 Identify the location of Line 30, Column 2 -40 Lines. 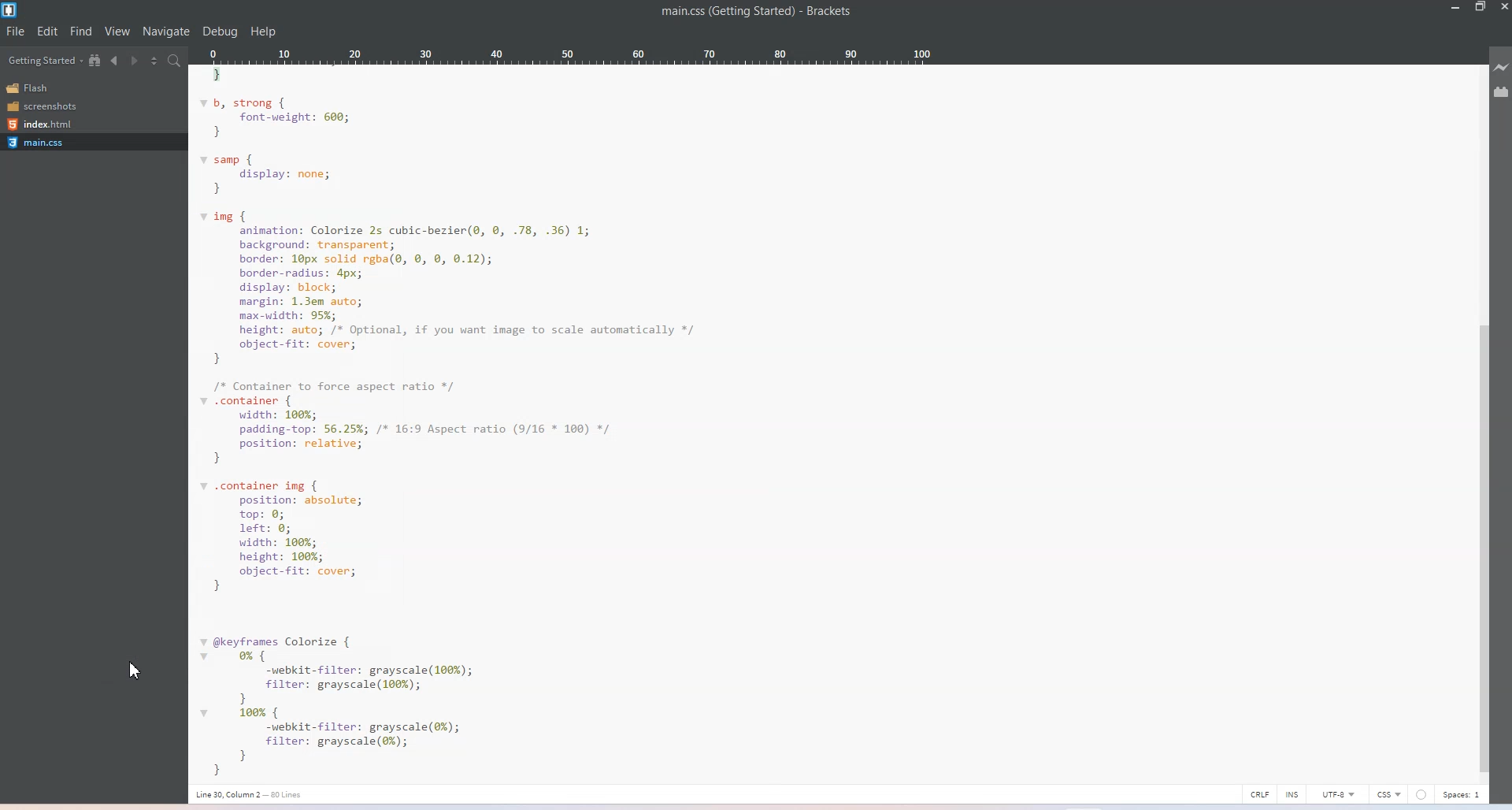
(261, 793).